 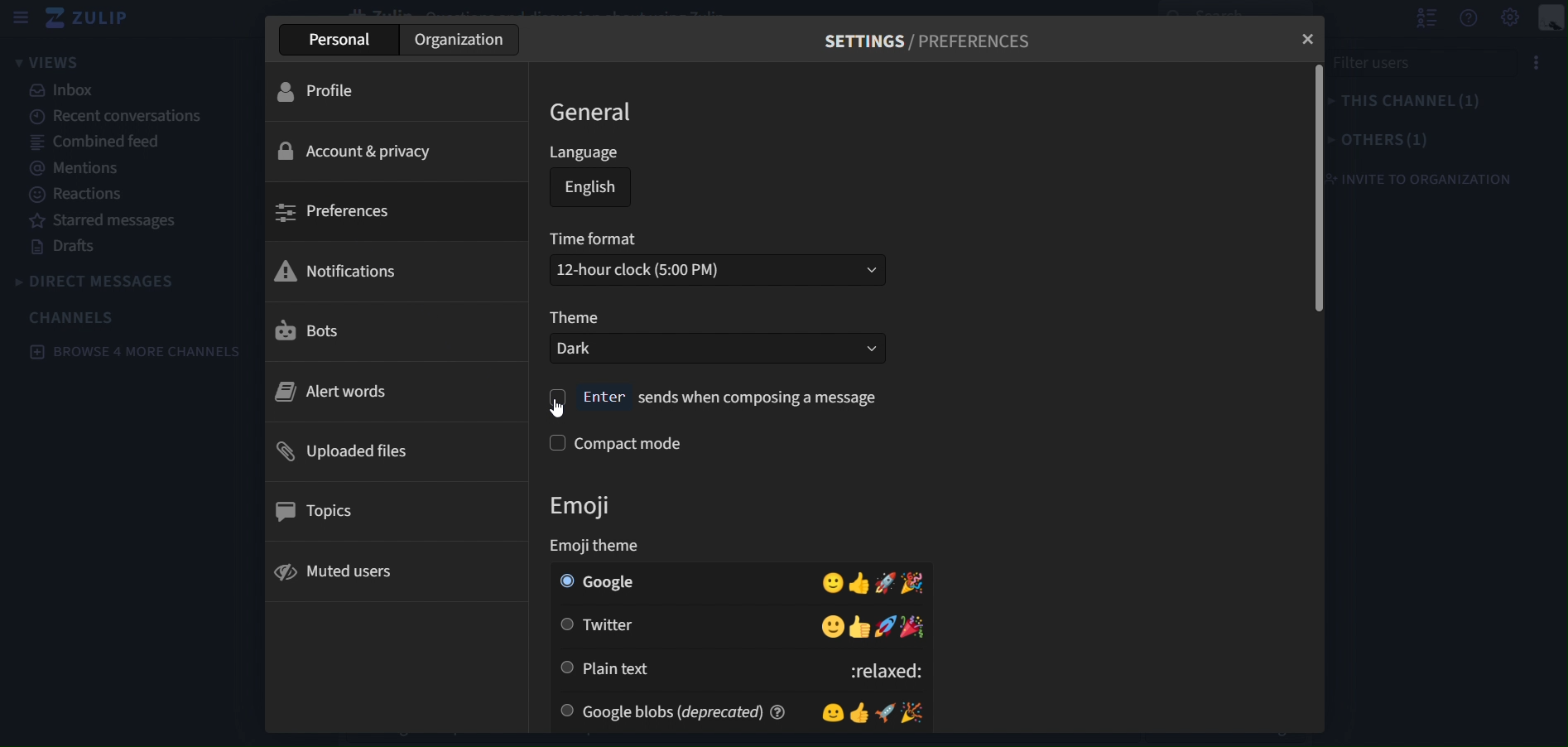 I want to click on Checkbox, so click(x=568, y=667).